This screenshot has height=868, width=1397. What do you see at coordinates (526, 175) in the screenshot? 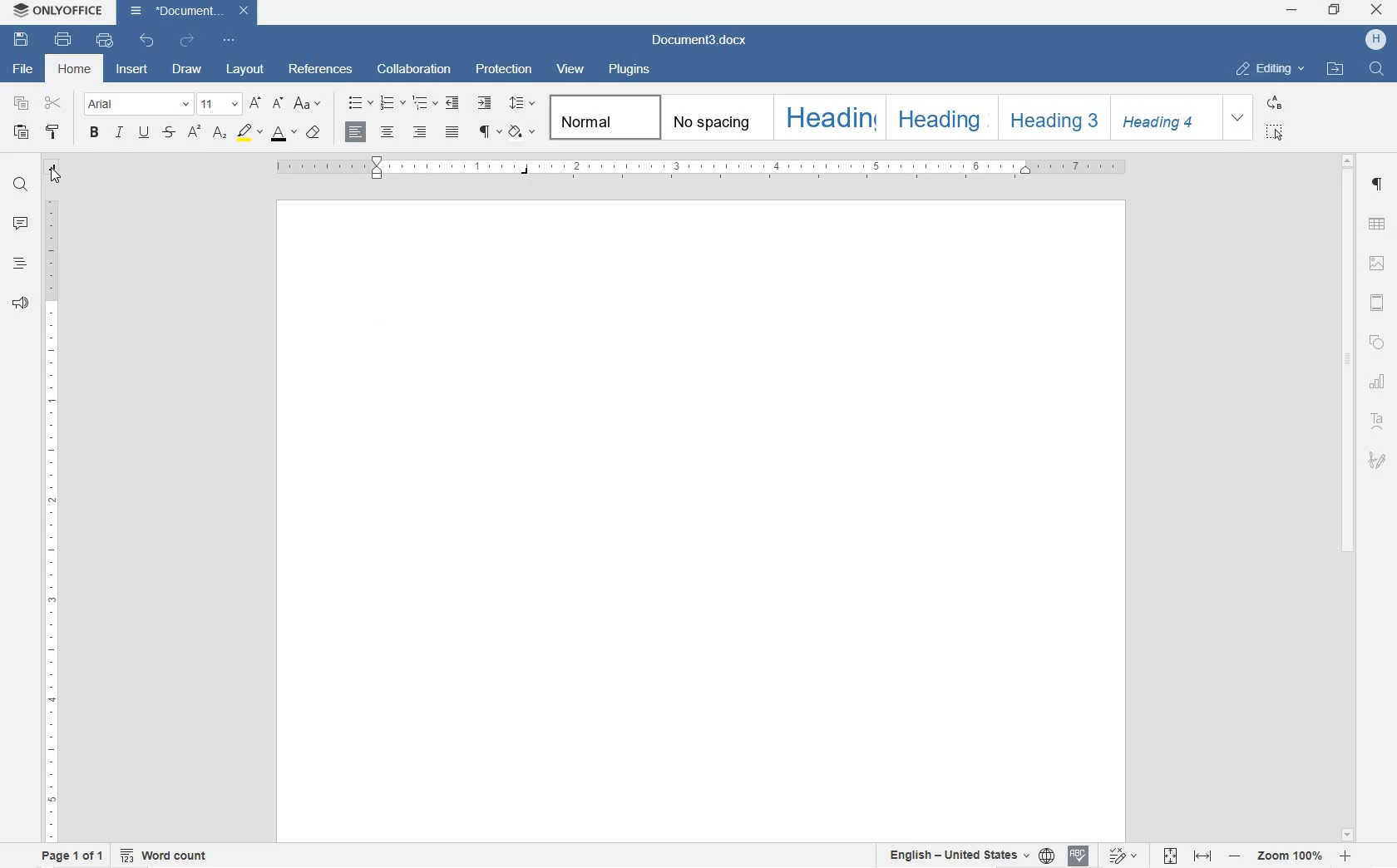
I see `tab stop added` at bounding box center [526, 175].